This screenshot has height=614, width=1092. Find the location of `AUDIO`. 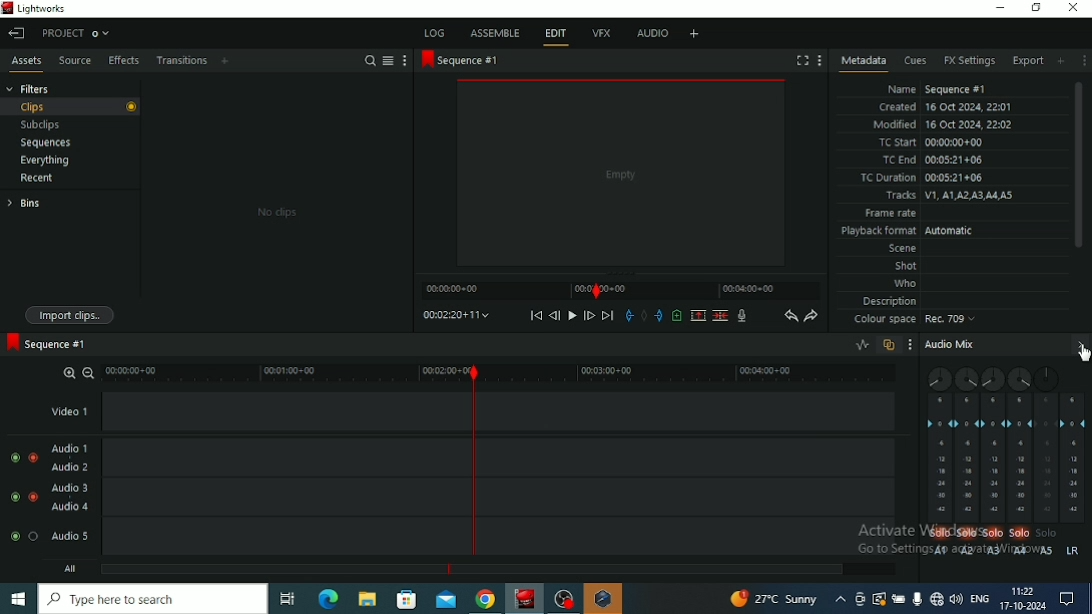

AUDIO is located at coordinates (654, 33).